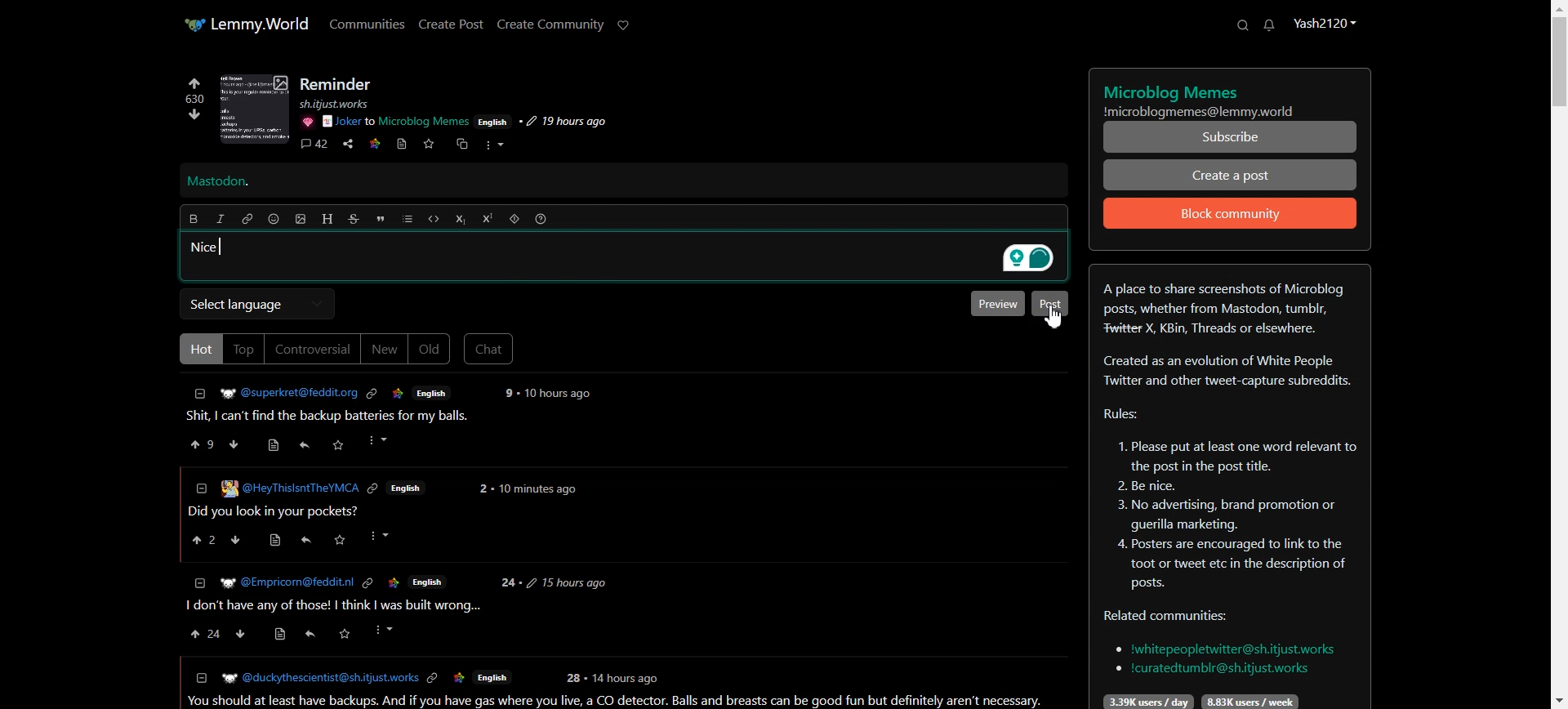  What do you see at coordinates (628, 677) in the screenshot?
I see `` at bounding box center [628, 677].